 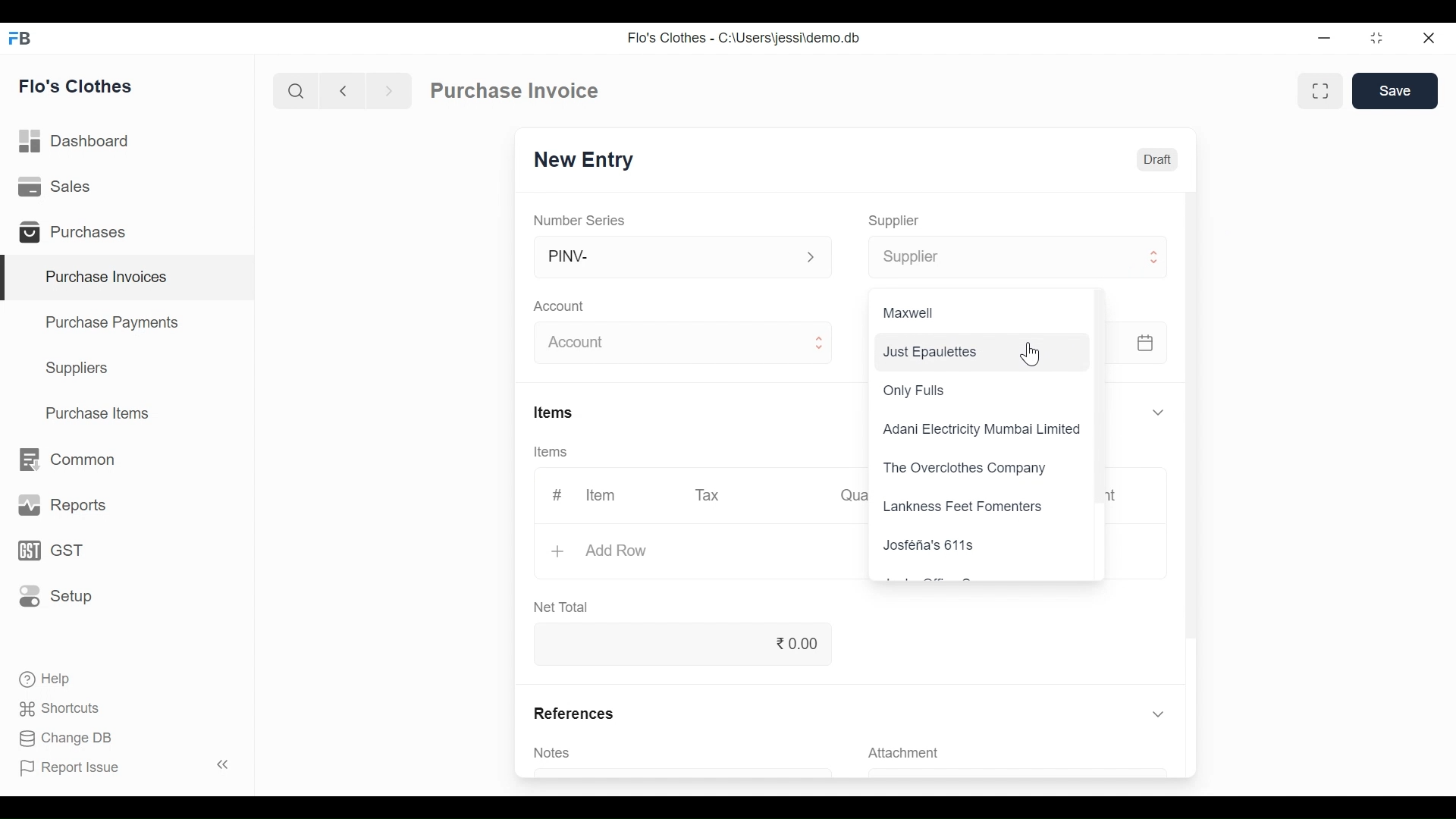 I want to click on Sales, so click(x=61, y=188).